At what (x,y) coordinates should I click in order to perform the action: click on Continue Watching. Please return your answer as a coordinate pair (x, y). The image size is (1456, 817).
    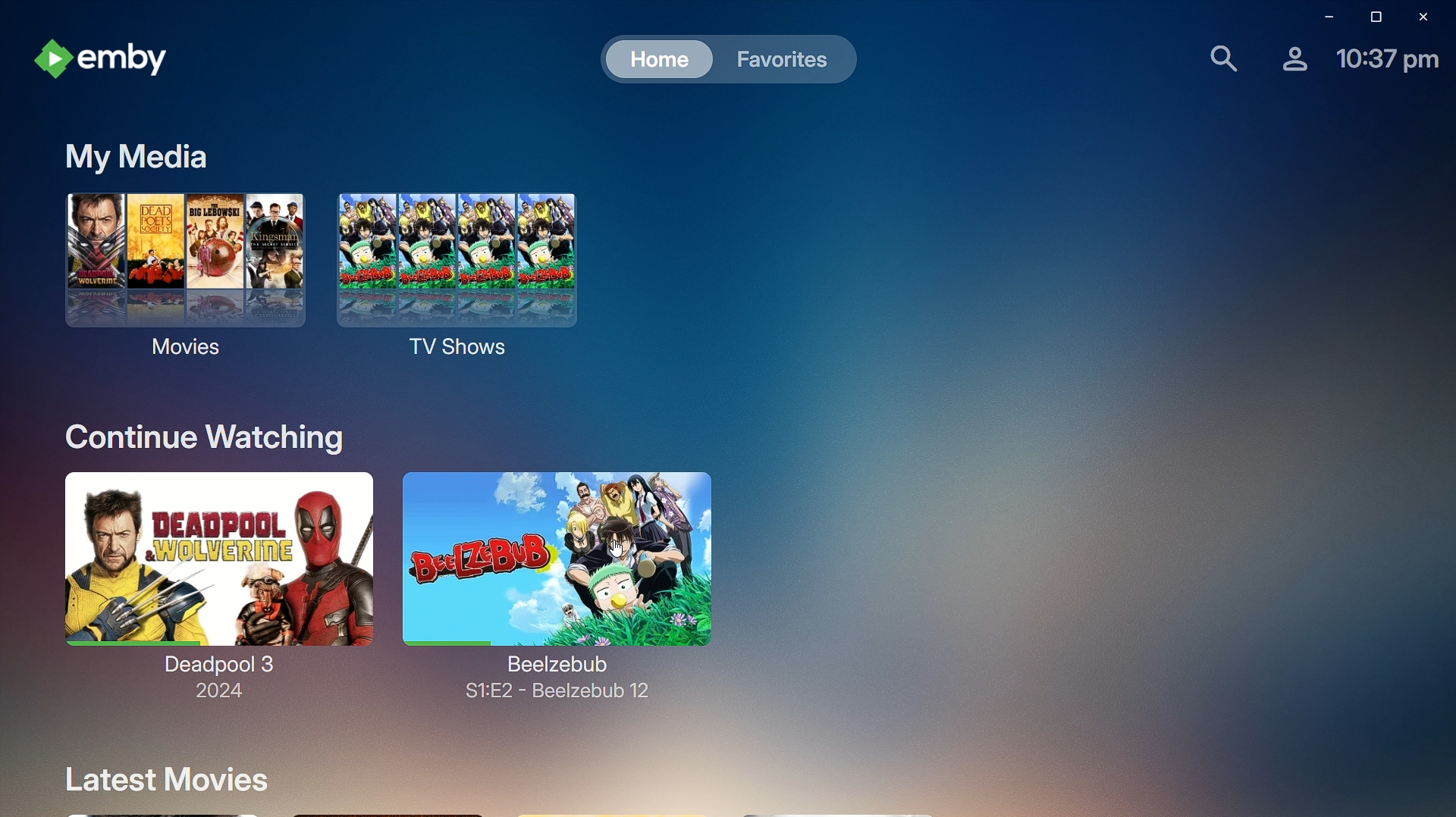
    Looking at the image, I should click on (208, 439).